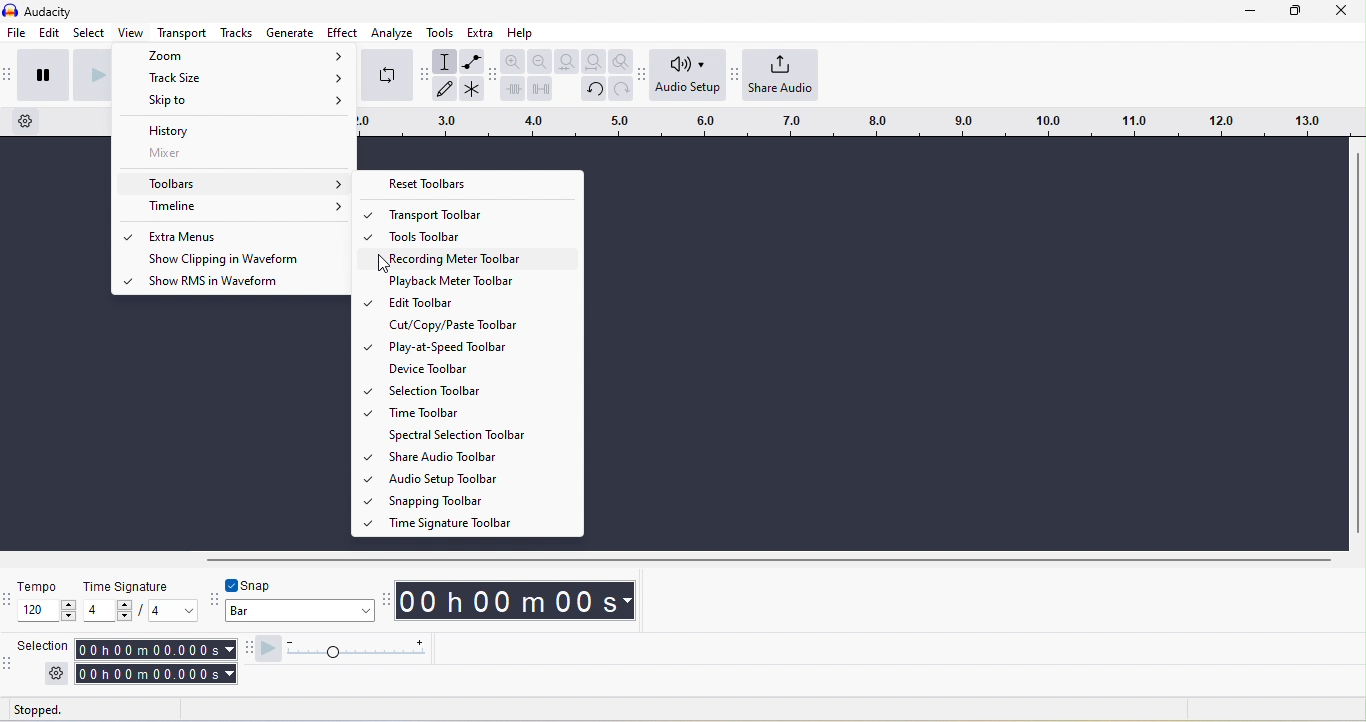 The height and width of the screenshot is (722, 1366). I want to click on Timeline , so click(234, 207).